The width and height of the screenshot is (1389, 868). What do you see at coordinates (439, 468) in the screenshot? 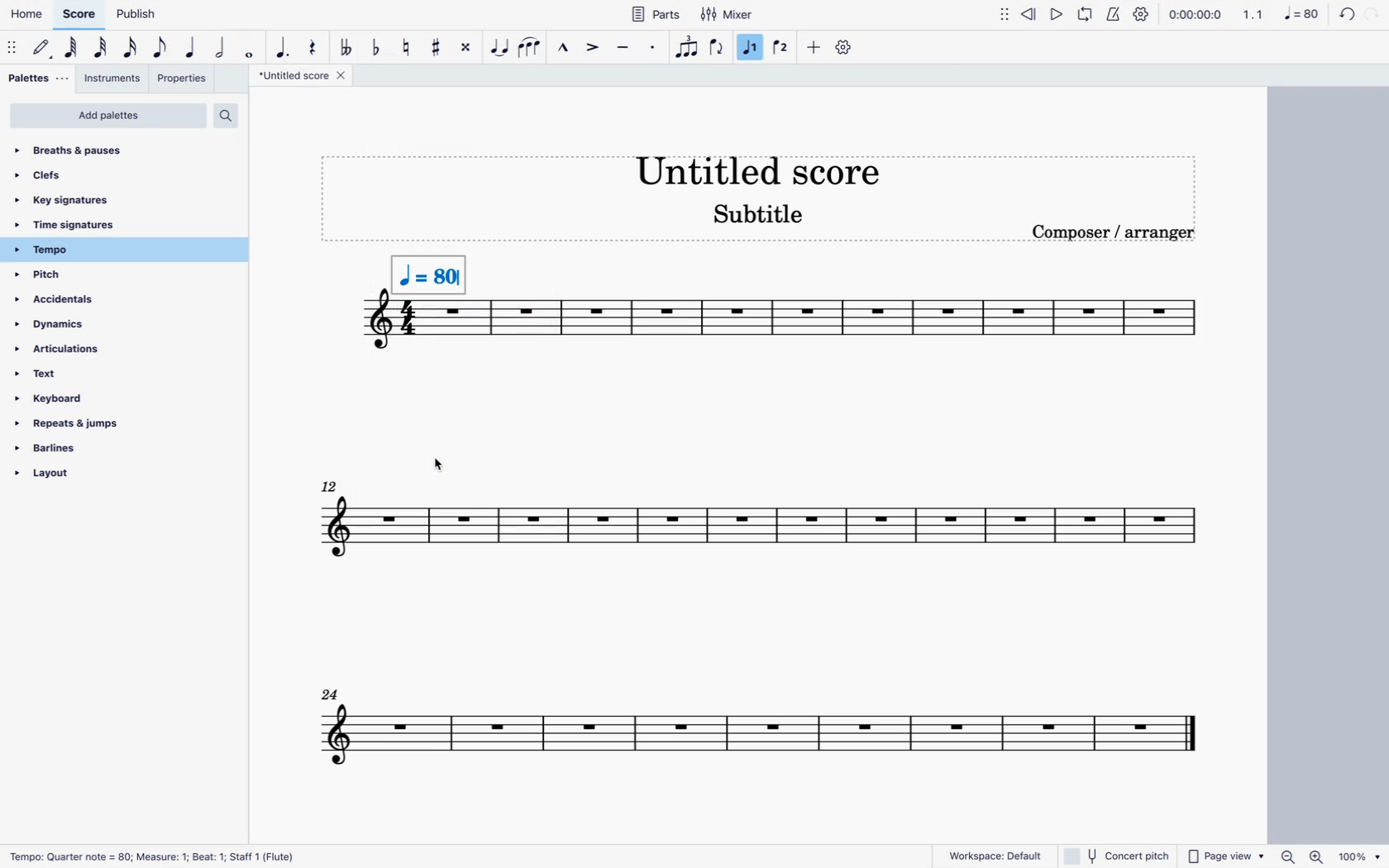
I see `cursor` at bounding box center [439, 468].